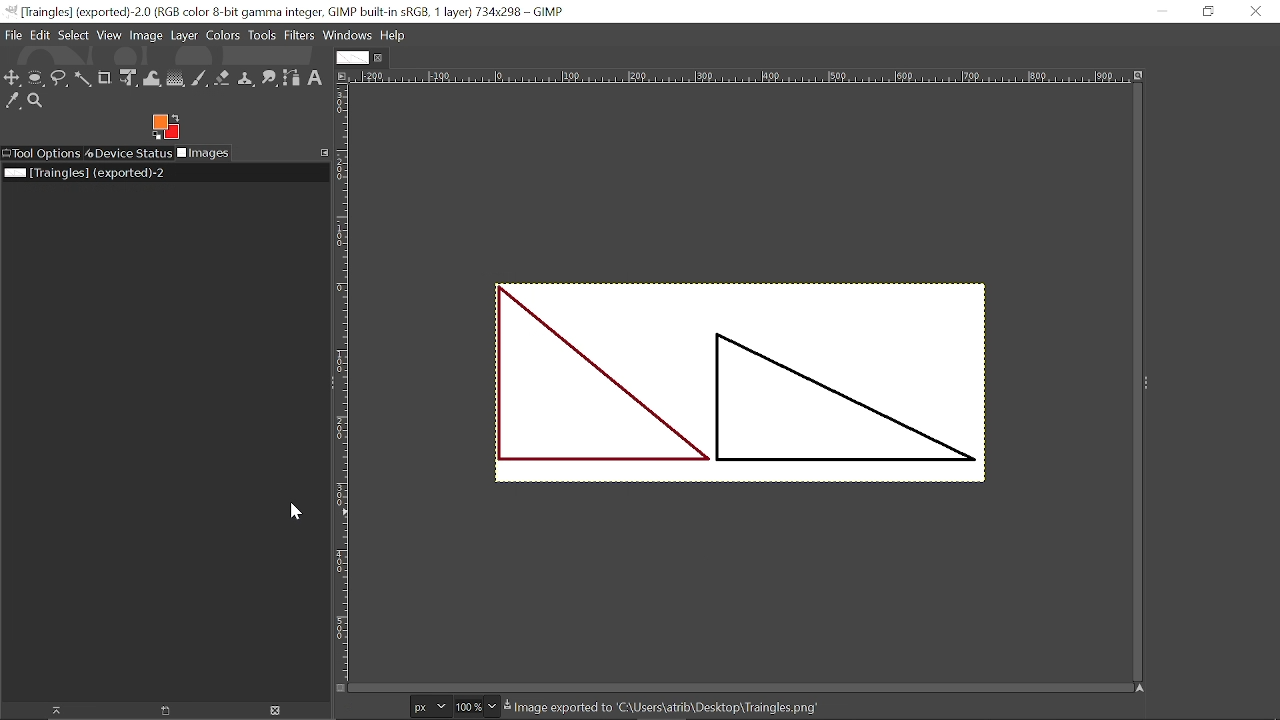  What do you see at coordinates (271, 79) in the screenshot?
I see `Smudge tool` at bounding box center [271, 79].